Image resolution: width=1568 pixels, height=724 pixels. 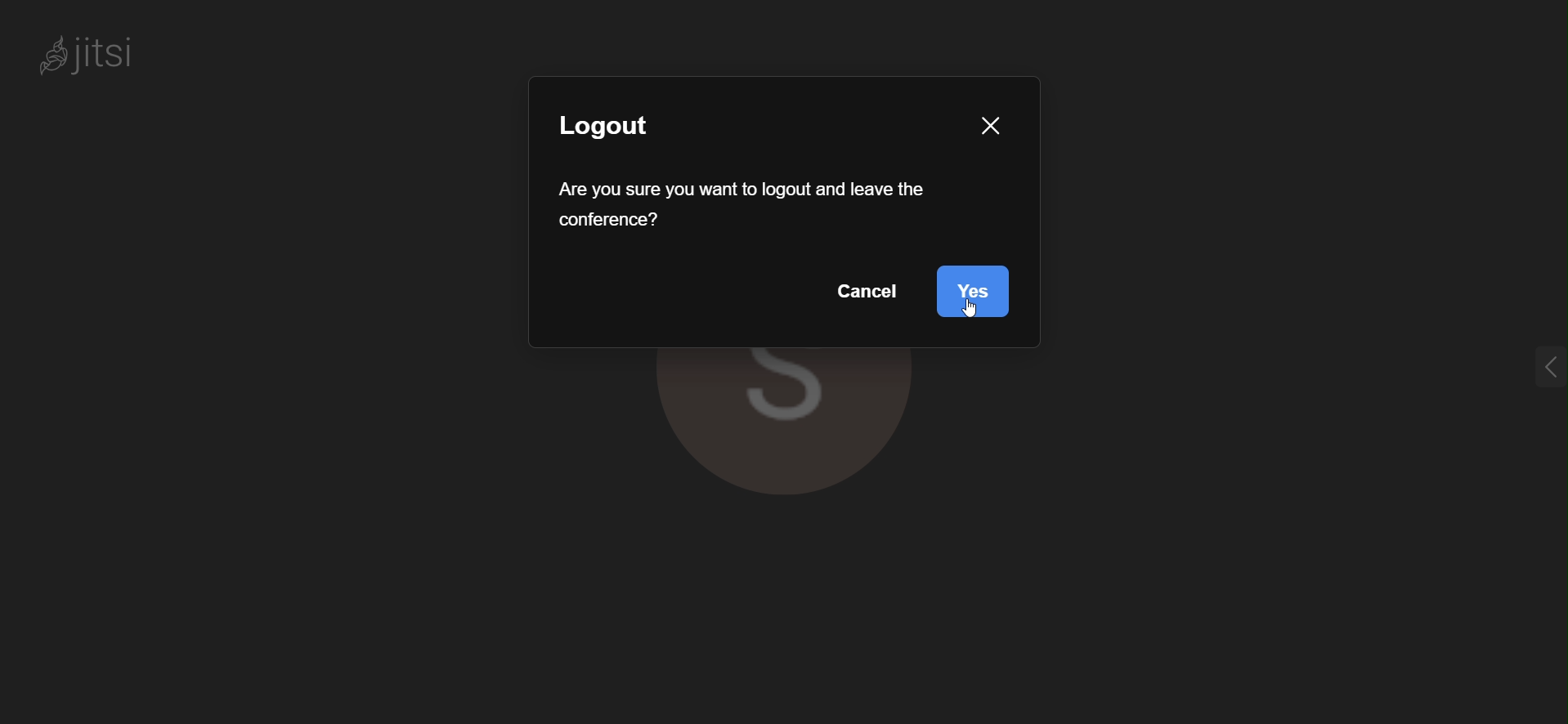 What do you see at coordinates (991, 130) in the screenshot?
I see `close` at bounding box center [991, 130].